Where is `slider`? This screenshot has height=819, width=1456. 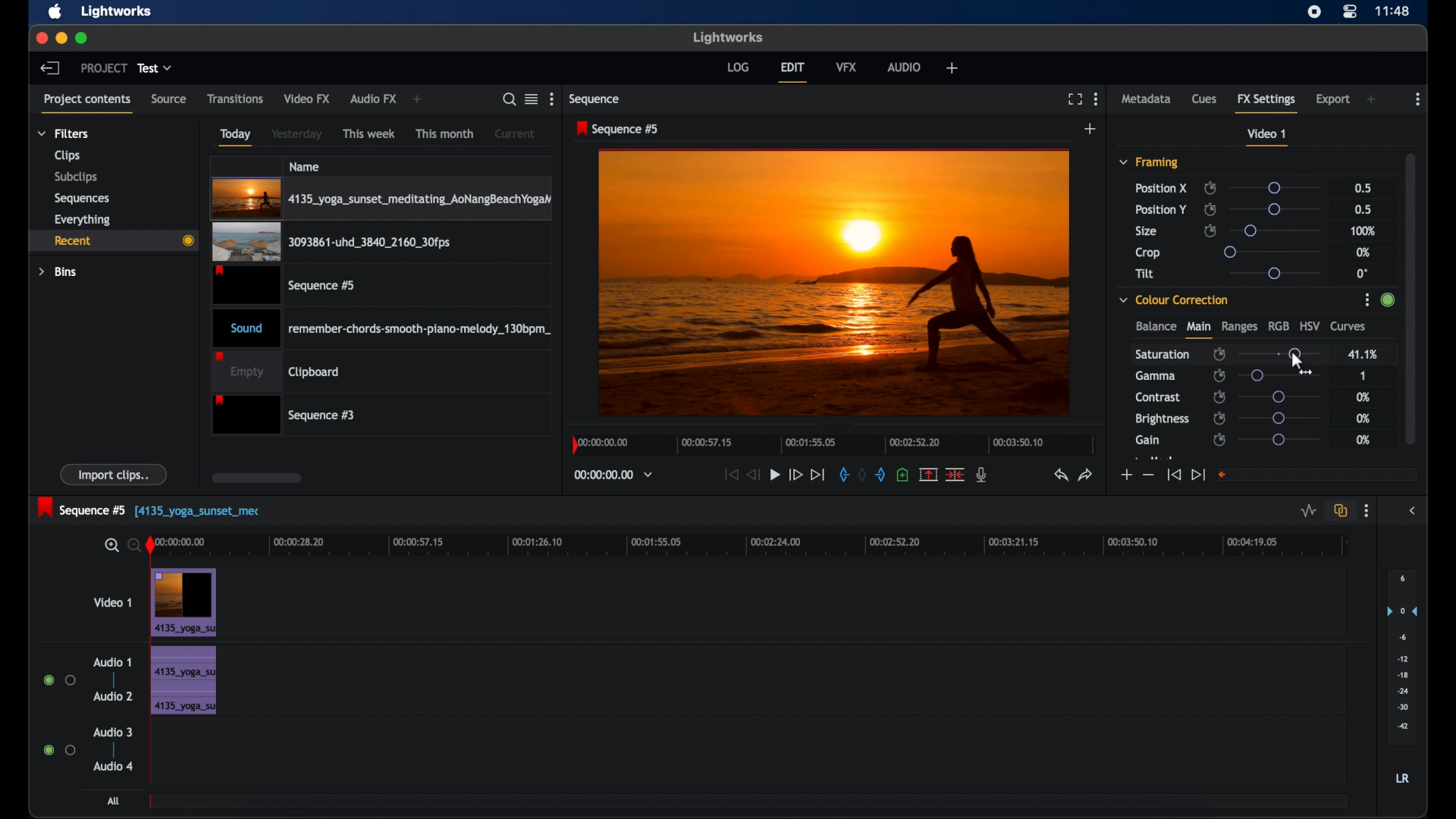 slider is located at coordinates (1280, 397).